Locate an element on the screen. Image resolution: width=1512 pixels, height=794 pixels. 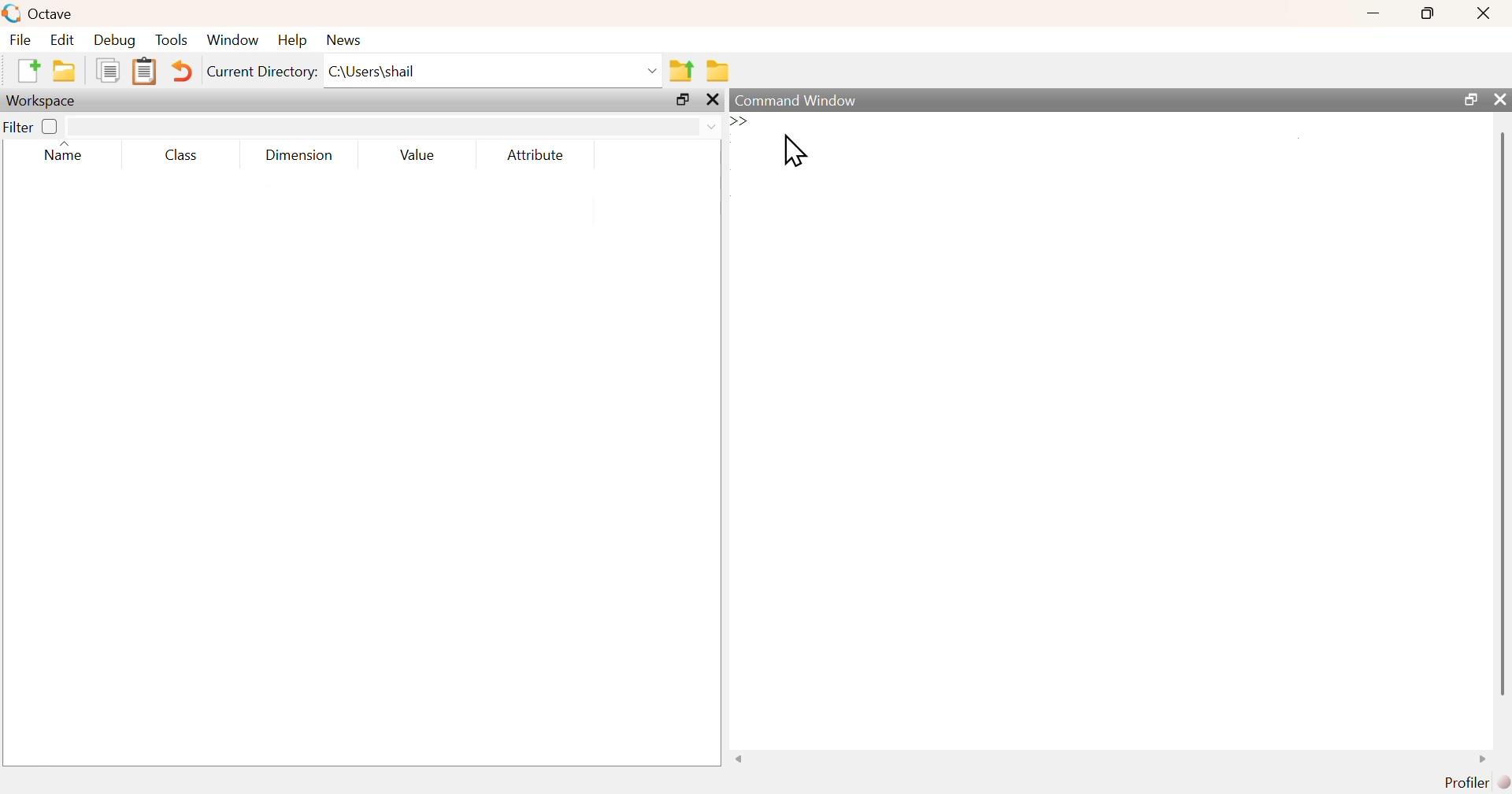
Window is located at coordinates (233, 39).